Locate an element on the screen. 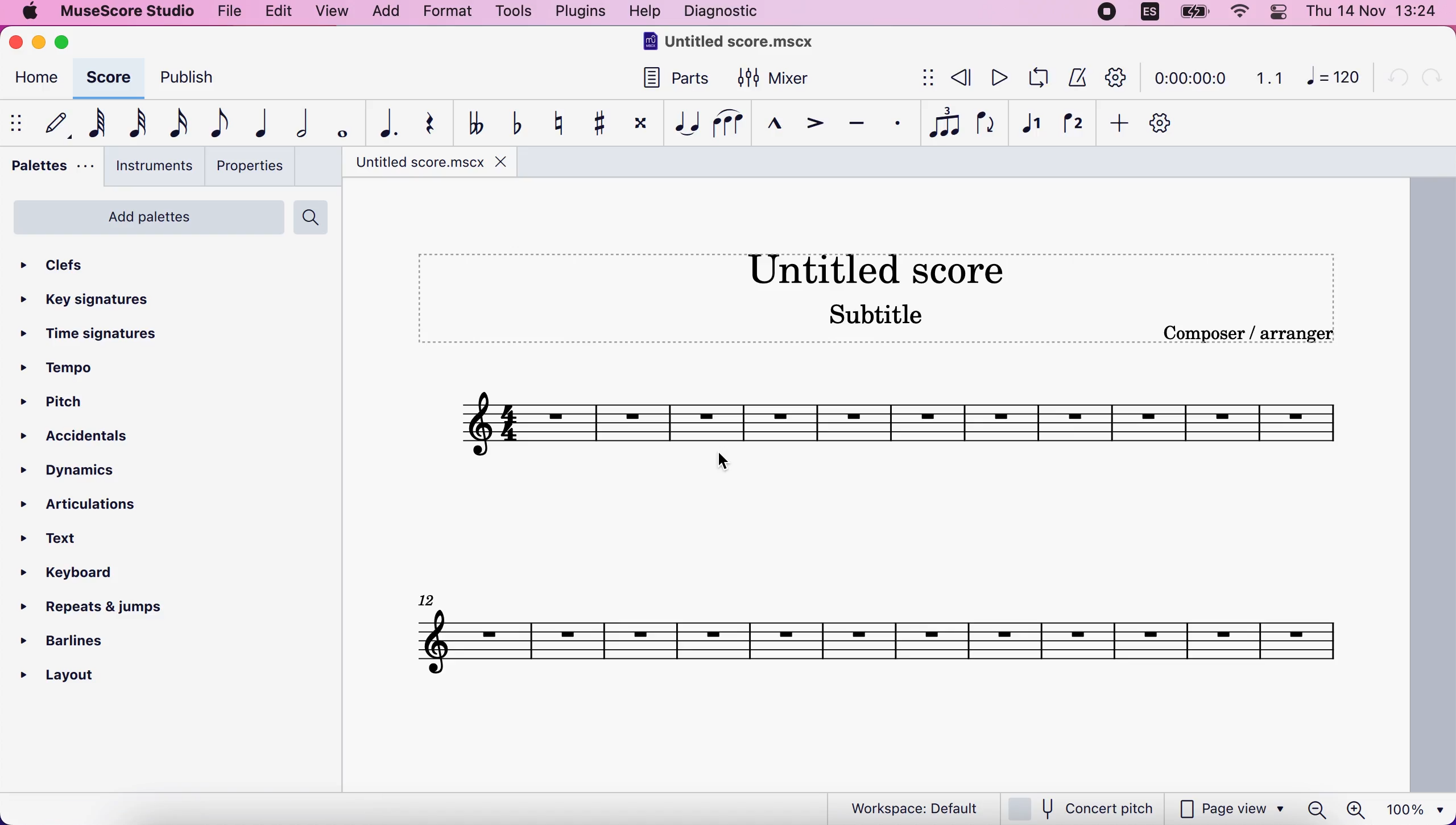  untitled score.mscx is located at coordinates (762, 40).